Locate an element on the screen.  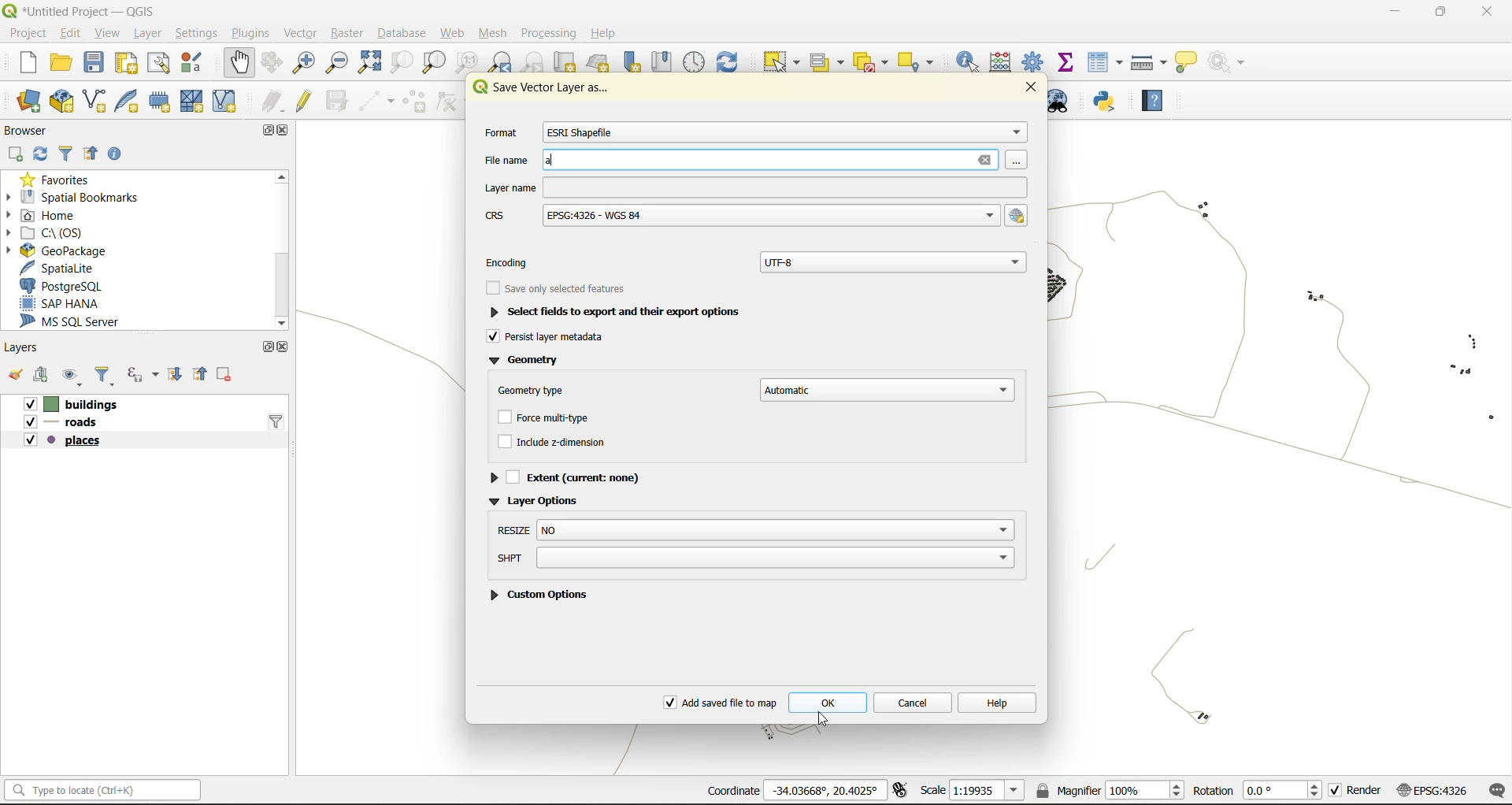
ms sql server is located at coordinates (80, 322).